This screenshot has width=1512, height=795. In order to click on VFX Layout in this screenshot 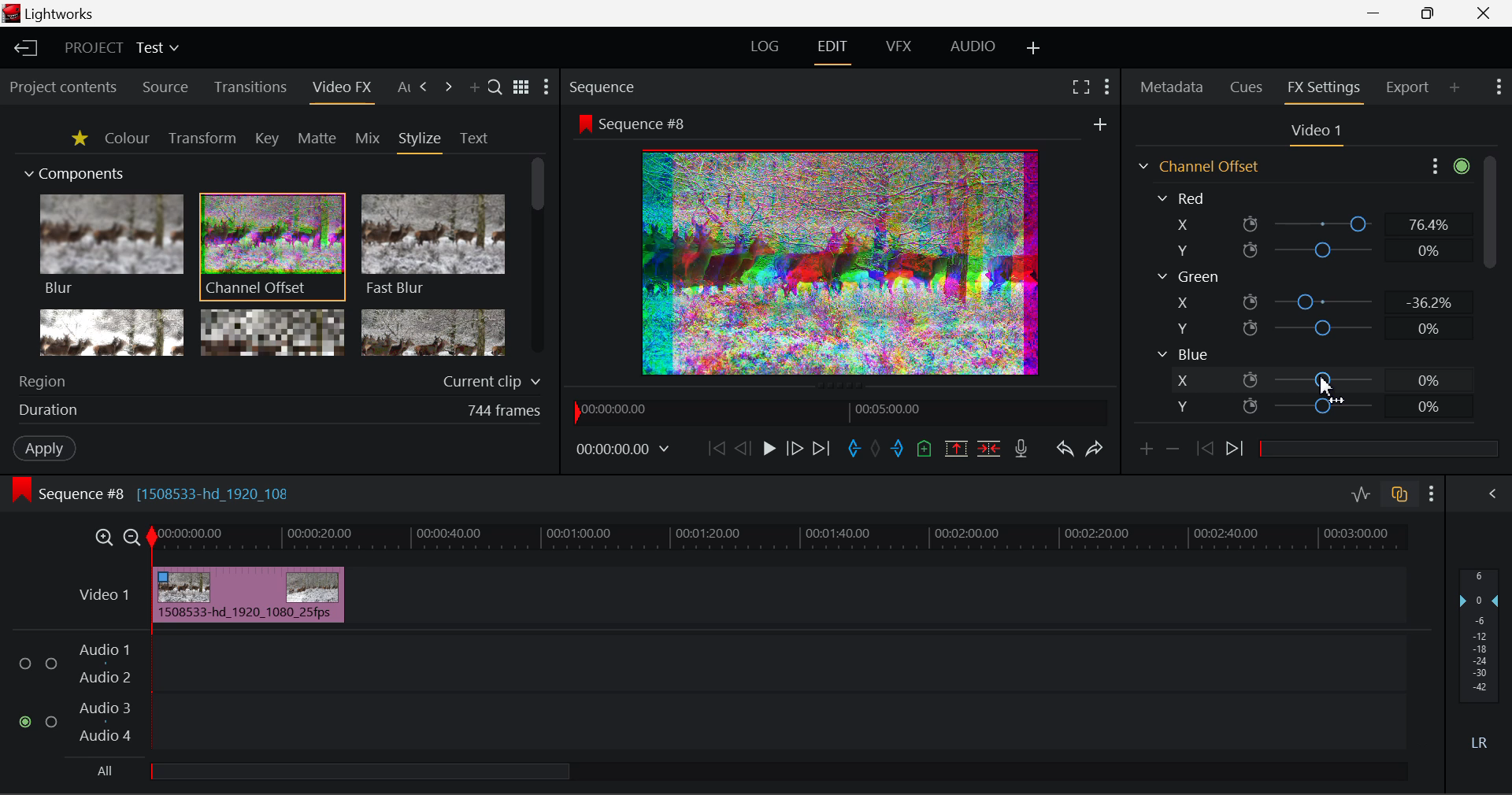, I will do `click(899, 50)`.